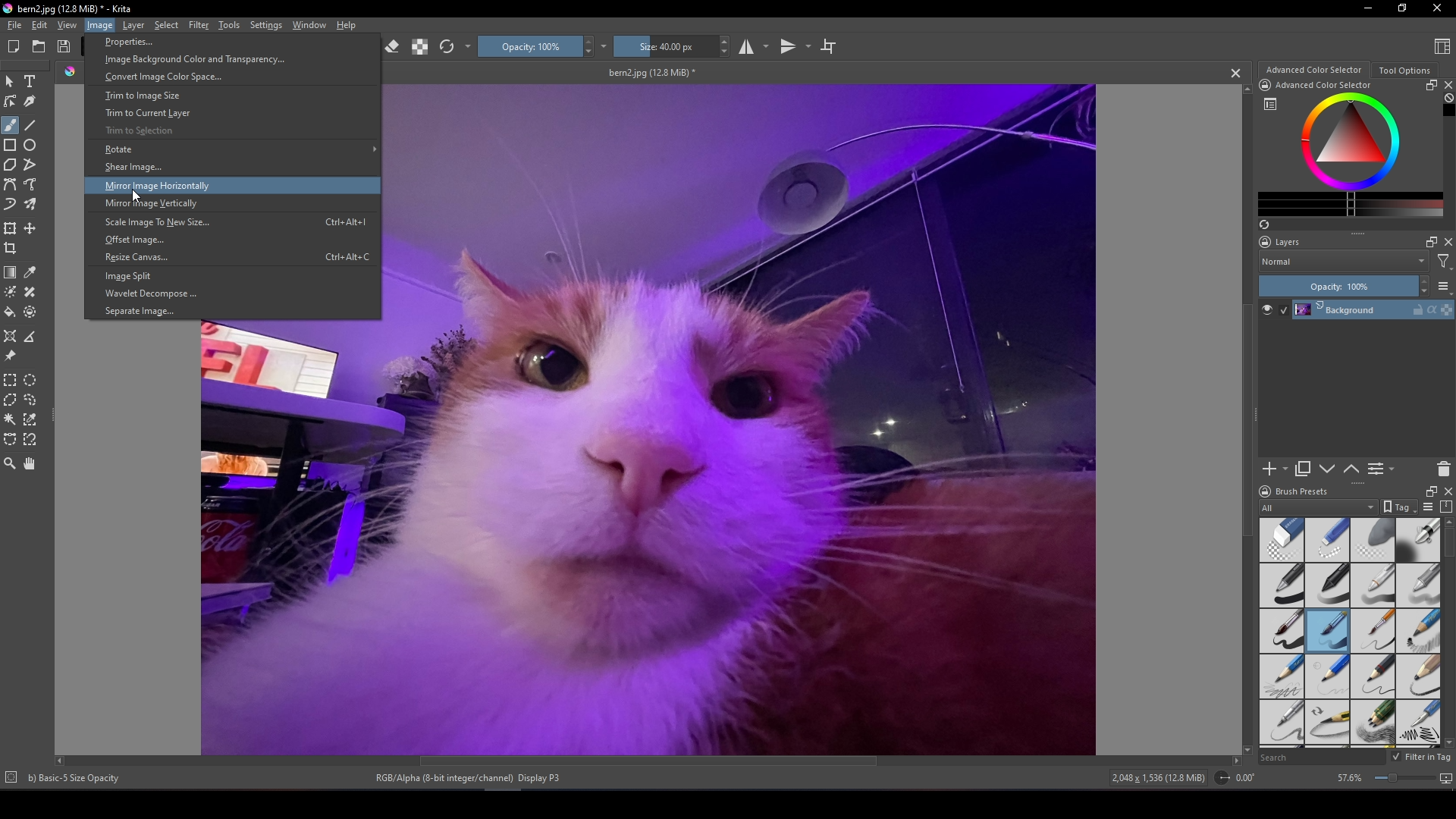 The height and width of the screenshot is (819, 1456). What do you see at coordinates (1324, 758) in the screenshot?
I see `Brush preset search` at bounding box center [1324, 758].